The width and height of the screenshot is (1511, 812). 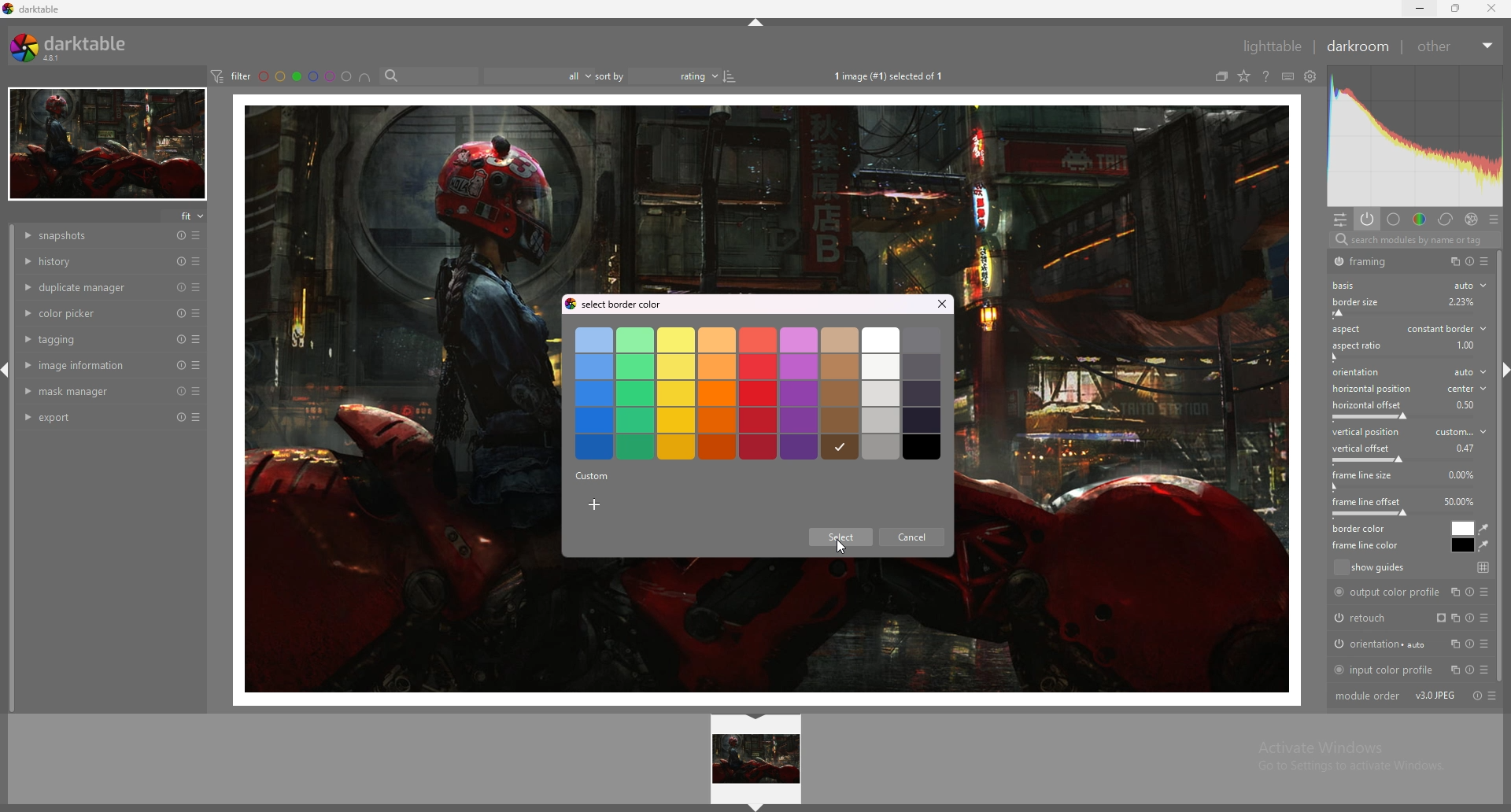 I want to click on collapse grouped images, so click(x=1221, y=77).